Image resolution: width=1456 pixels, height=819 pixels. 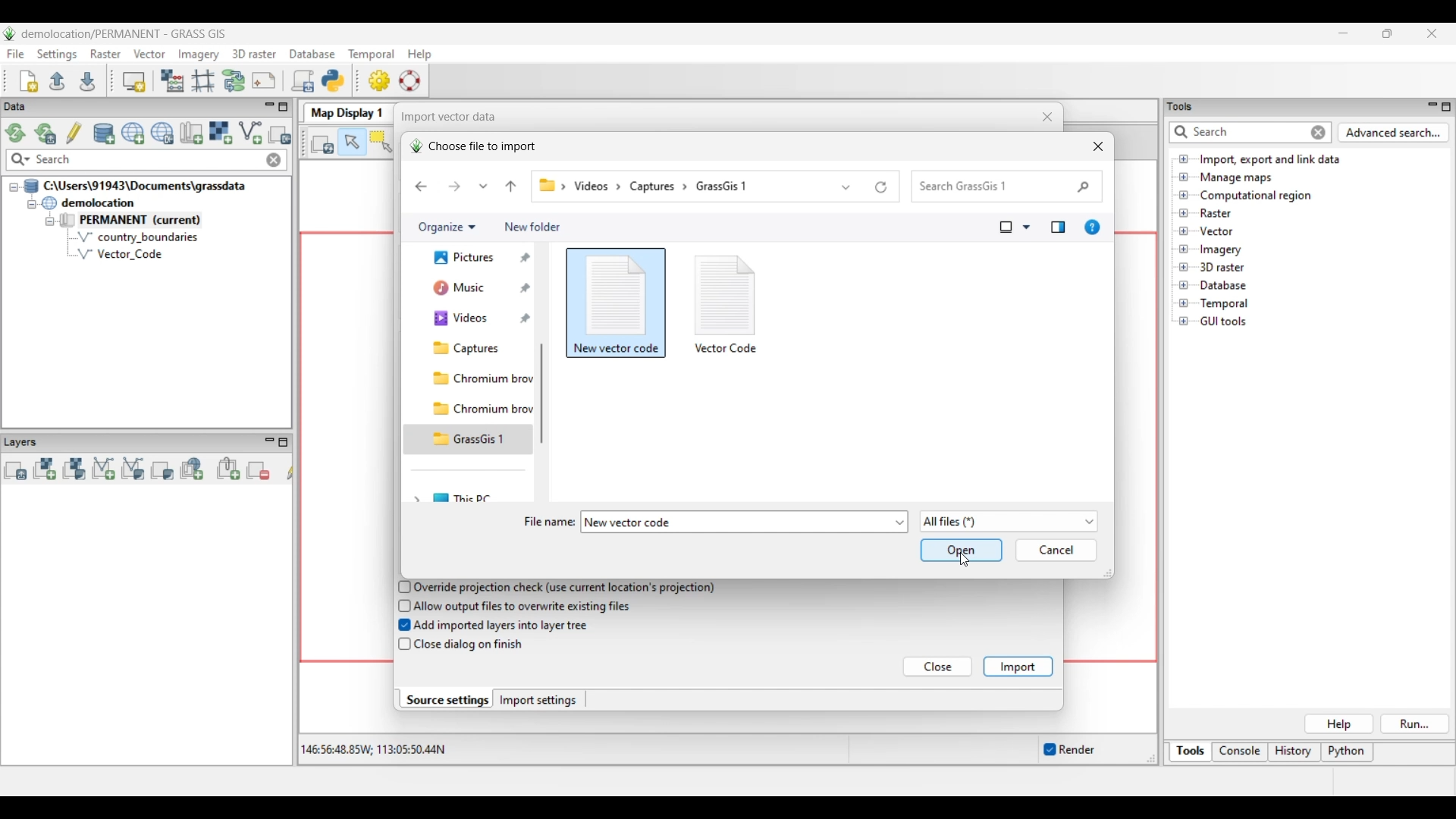 What do you see at coordinates (409, 80) in the screenshot?
I see `GRASS manual` at bounding box center [409, 80].